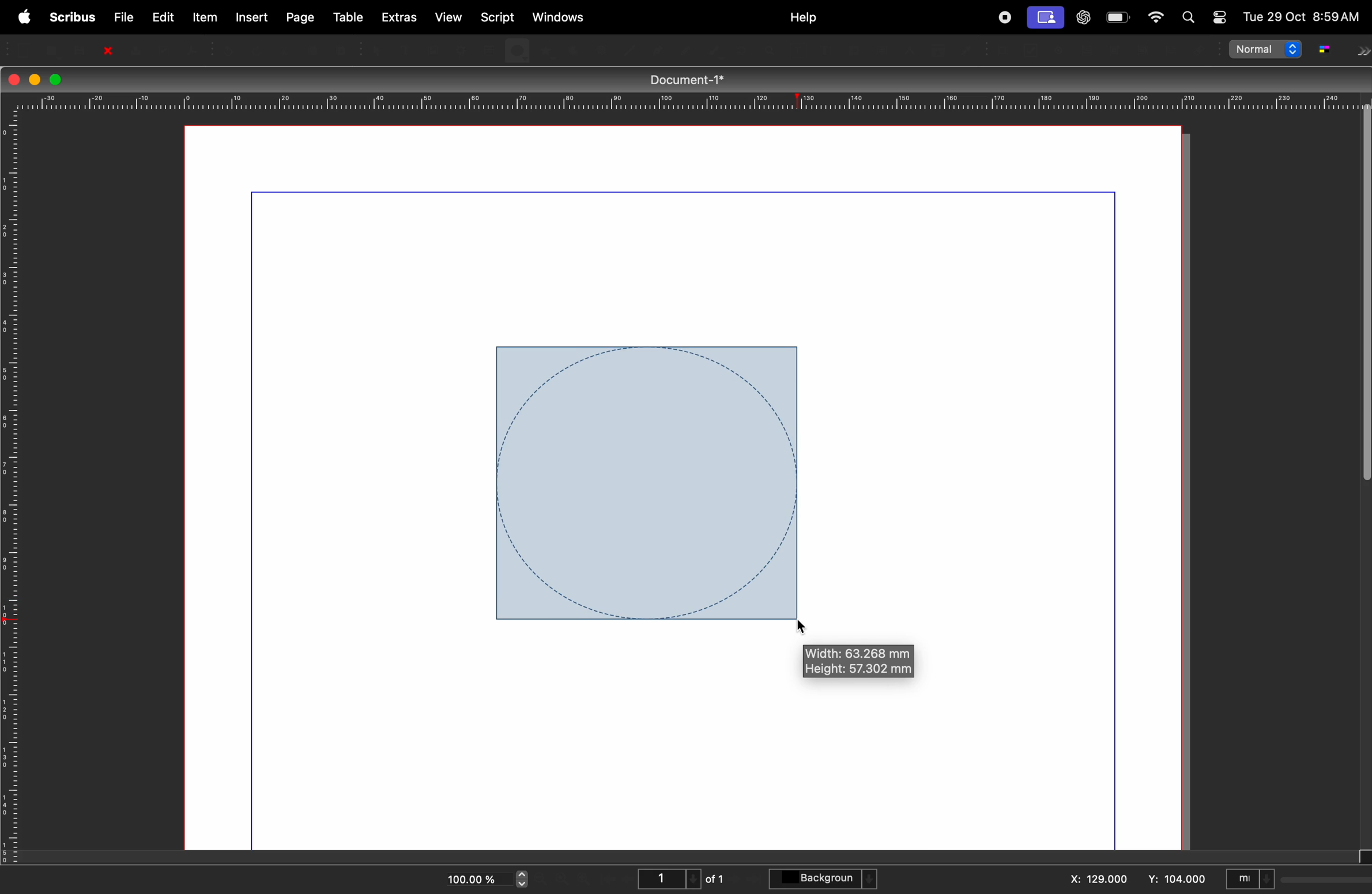 The width and height of the screenshot is (1372, 894). Describe the element at coordinates (742, 51) in the screenshot. I see `rotate item` at that location.